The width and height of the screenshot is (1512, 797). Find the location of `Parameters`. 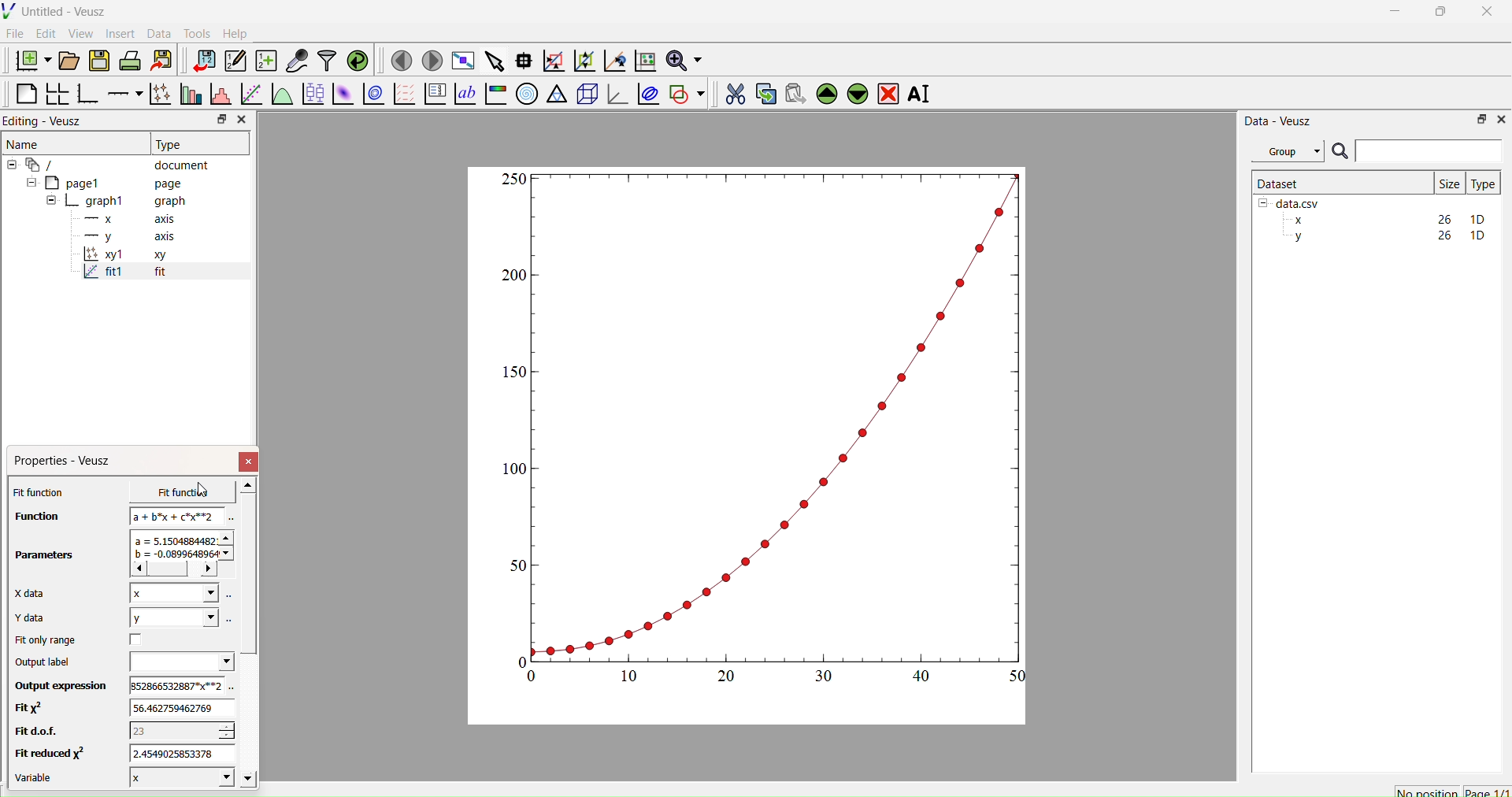

Parameters is located at coordinates (46, 555).